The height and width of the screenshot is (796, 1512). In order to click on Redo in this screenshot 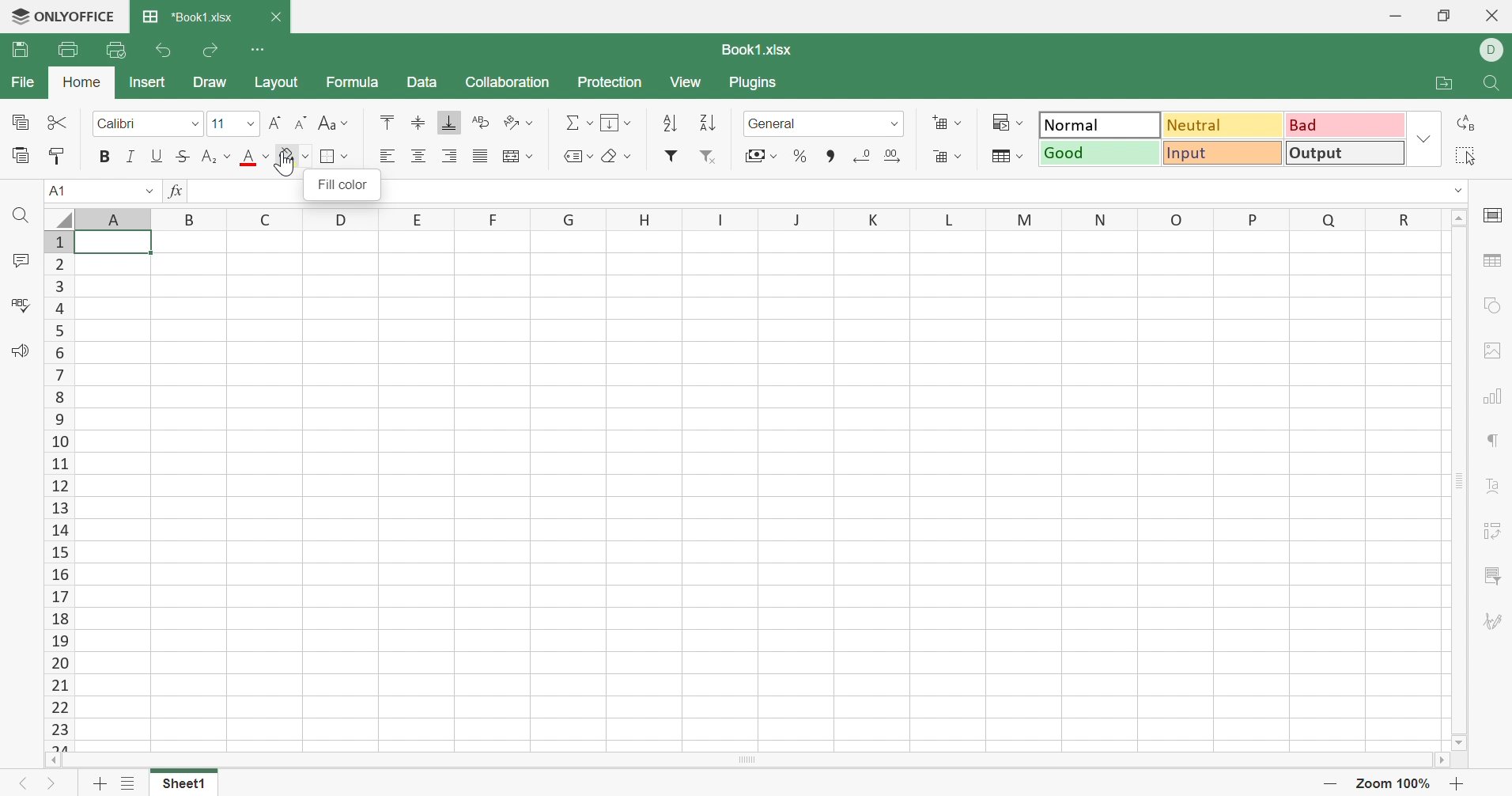, I will do `click(212, 48)`.